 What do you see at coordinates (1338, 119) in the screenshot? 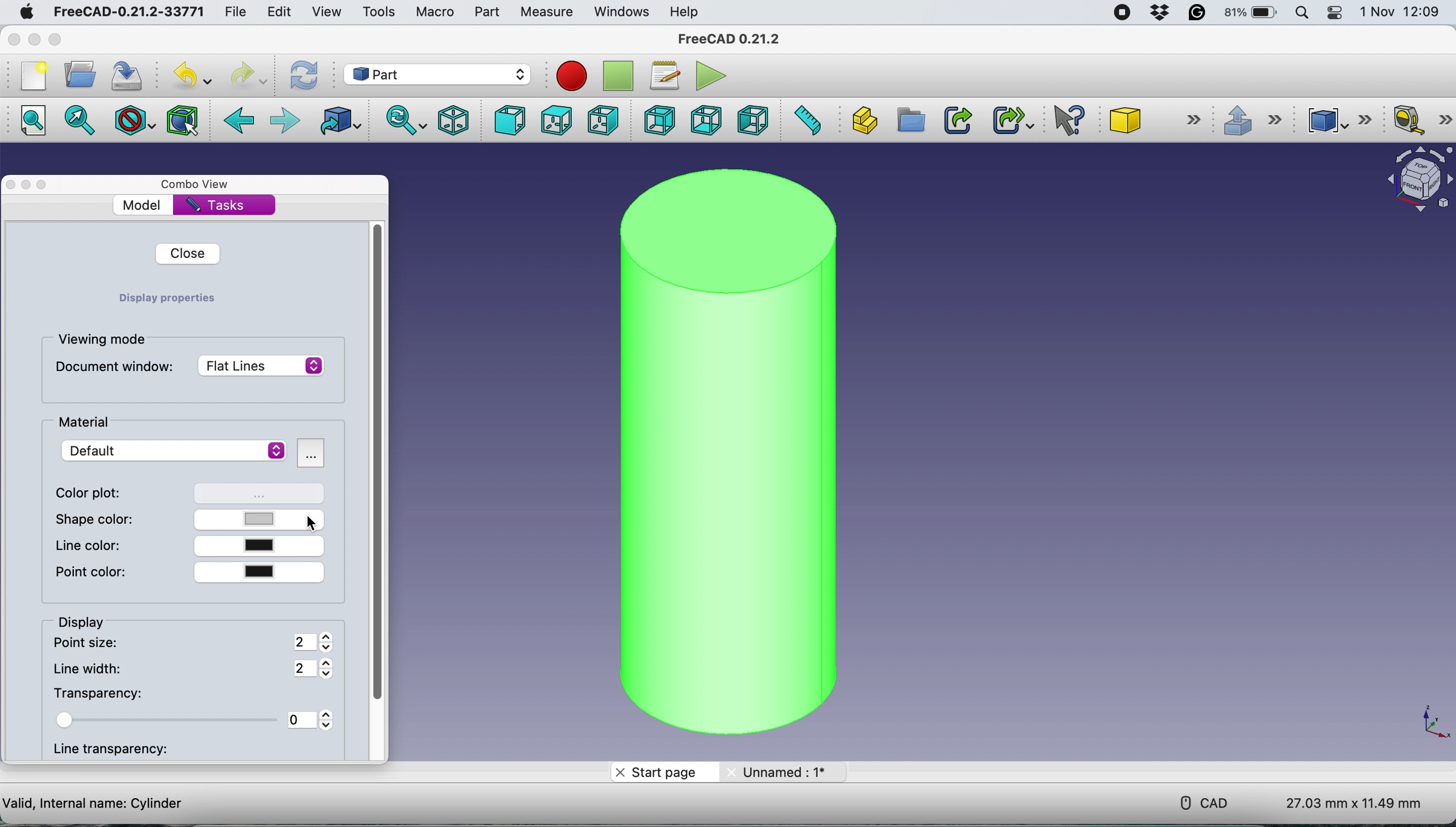
I see `compound tools` at bounding box center [1338, 119].